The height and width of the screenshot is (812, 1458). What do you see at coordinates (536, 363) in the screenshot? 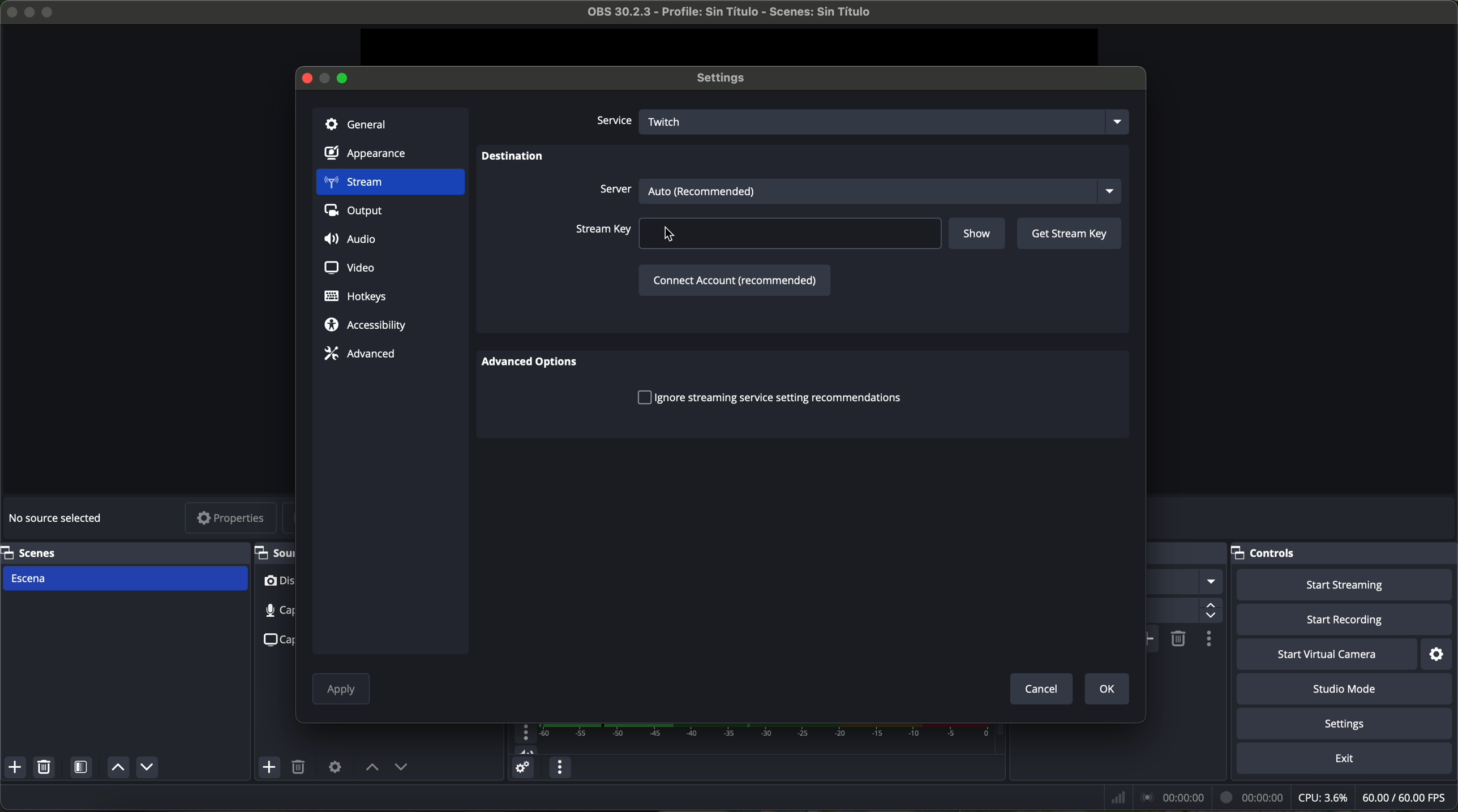
I see `advanced options` at bounding box center [536, 363].